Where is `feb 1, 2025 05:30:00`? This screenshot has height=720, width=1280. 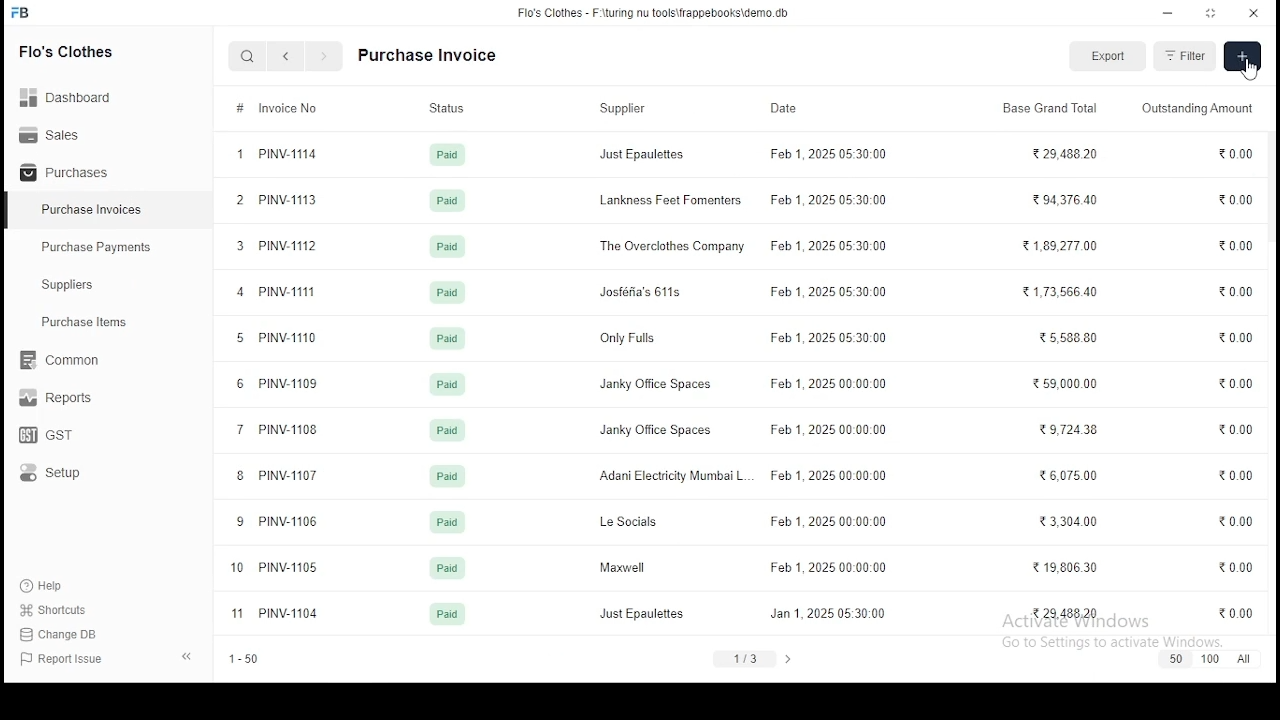 feb 1, 2025 05:30:00 is located at coordinates (832, 245).